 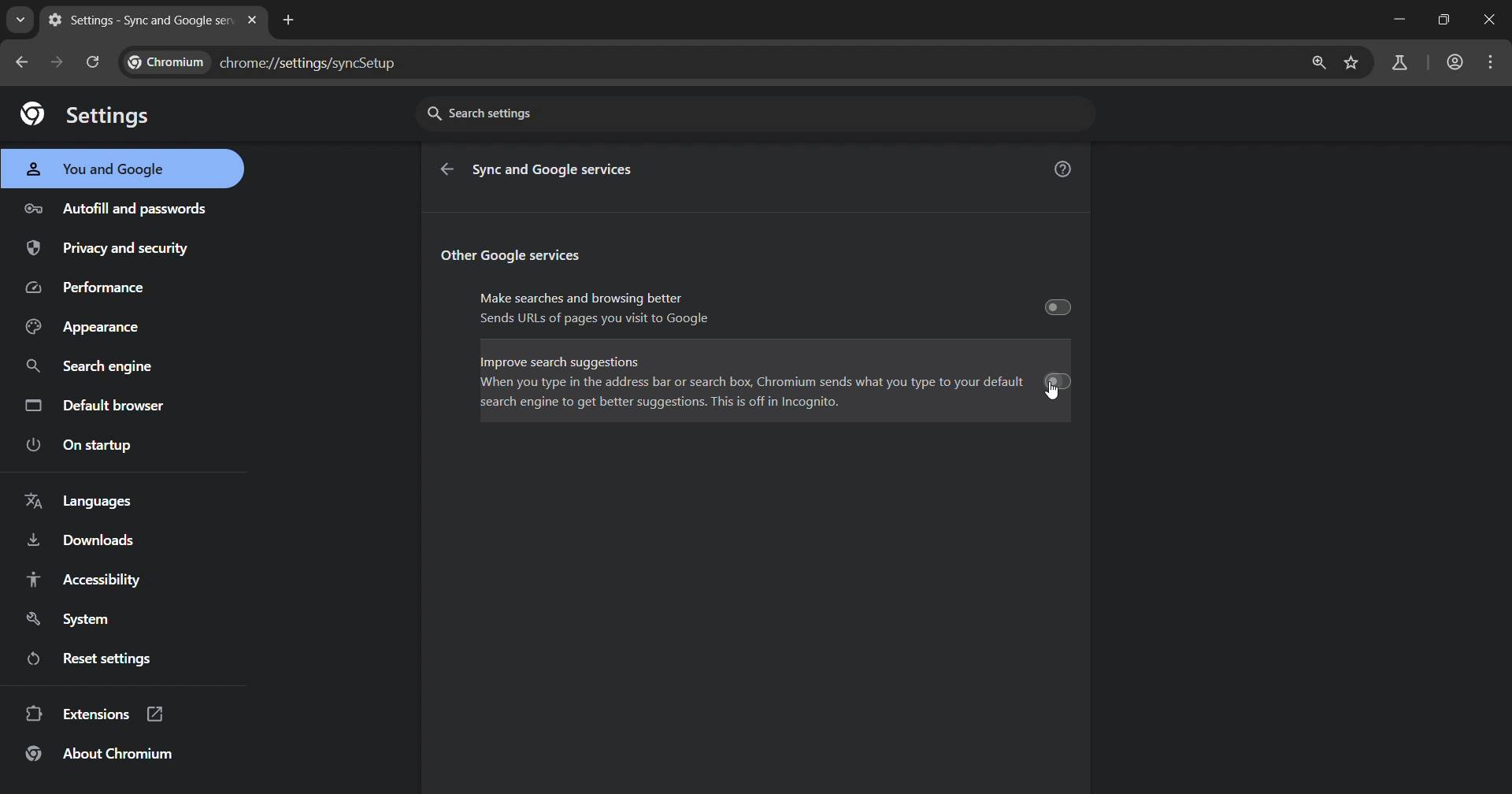 I want to click on you and google, so click(x=91, y=169).